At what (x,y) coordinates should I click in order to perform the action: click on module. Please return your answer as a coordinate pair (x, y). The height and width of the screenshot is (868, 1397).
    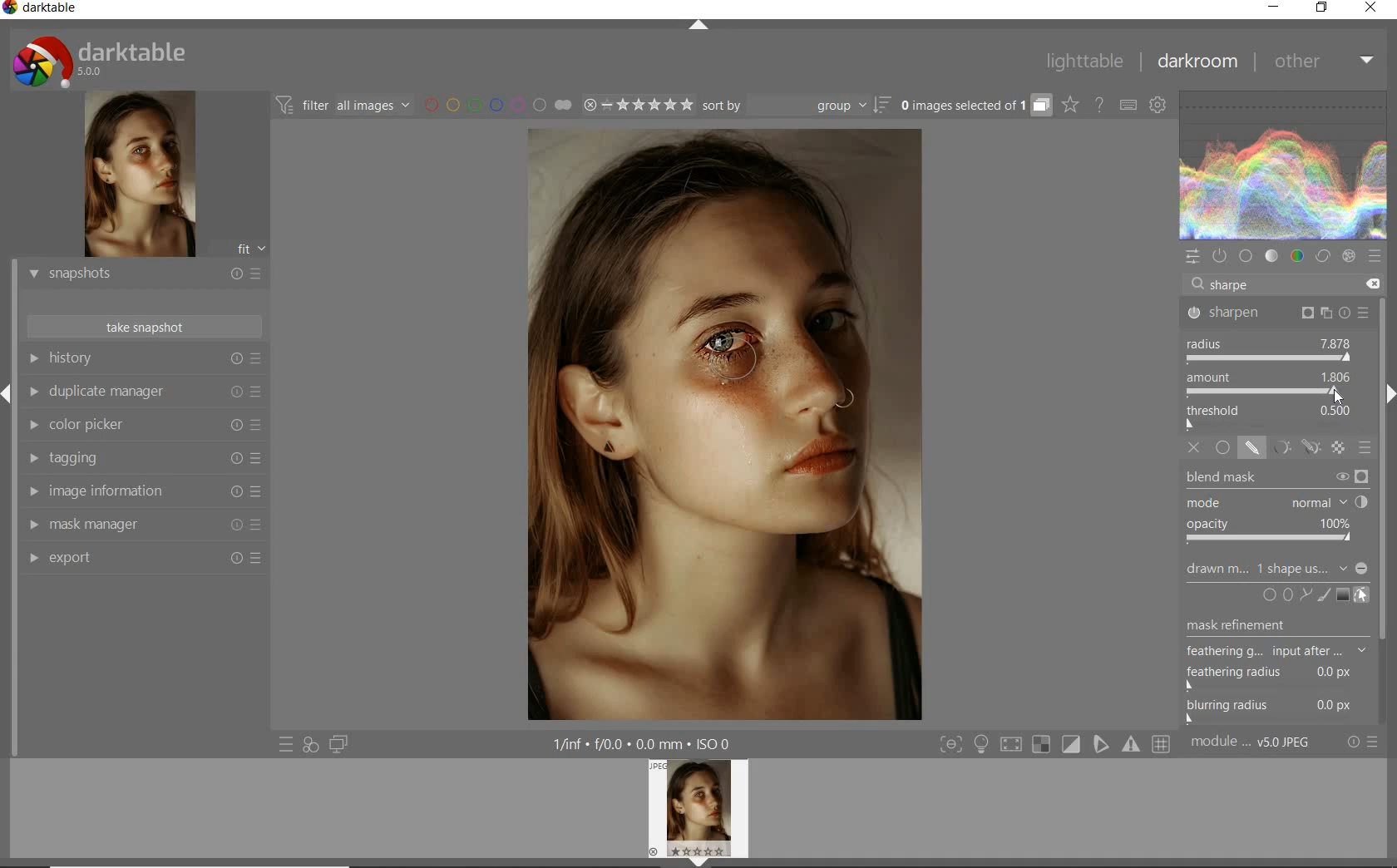
    Looking at the image, I should click on (1252, 742).